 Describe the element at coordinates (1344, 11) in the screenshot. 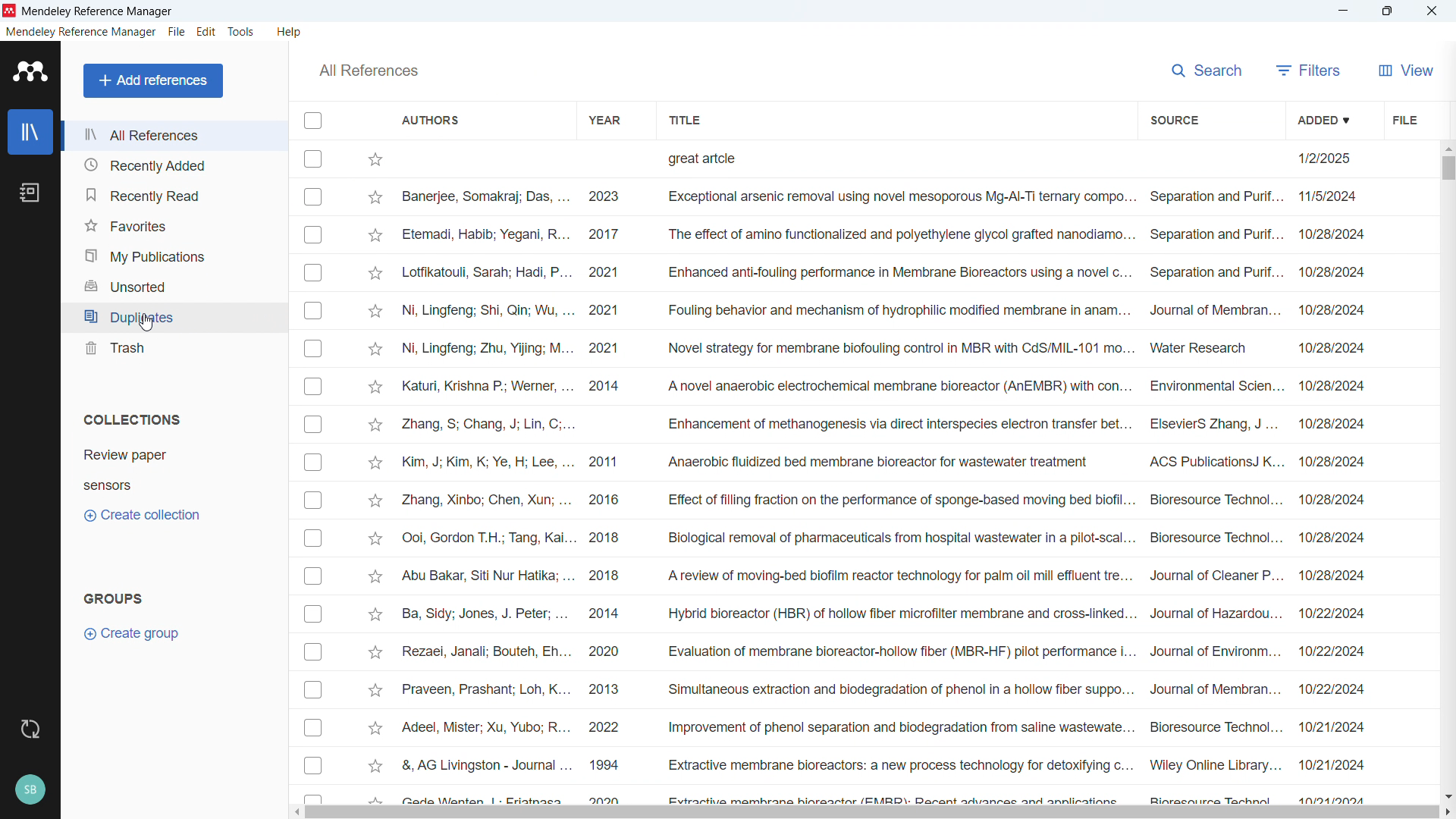

I see `minimise ` at that location.